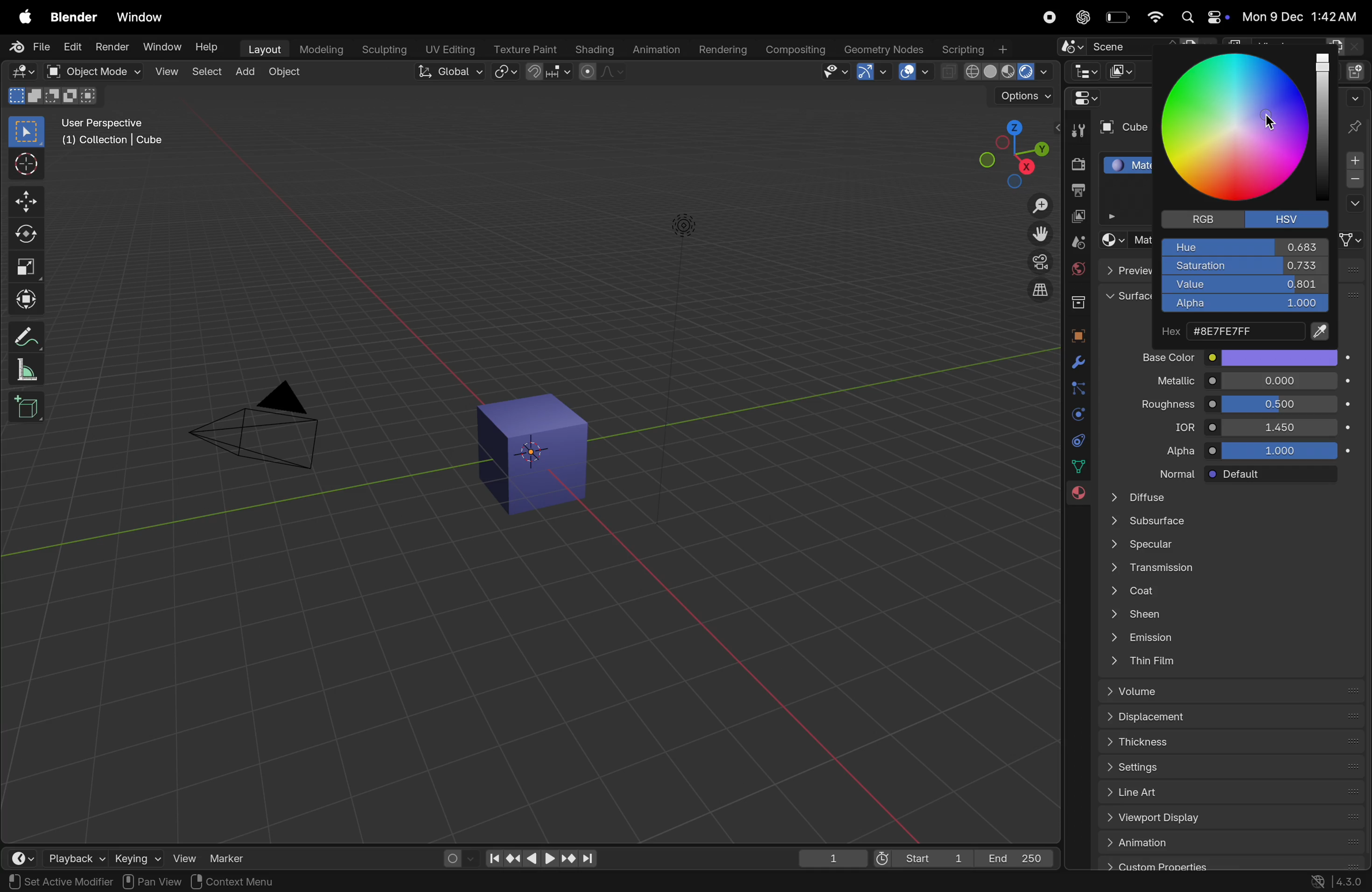 The width and height of the screenshot is (1372, 892). Describe the element at coordinates (1292, 218) in the screenshot. I see `hsc` at that location.